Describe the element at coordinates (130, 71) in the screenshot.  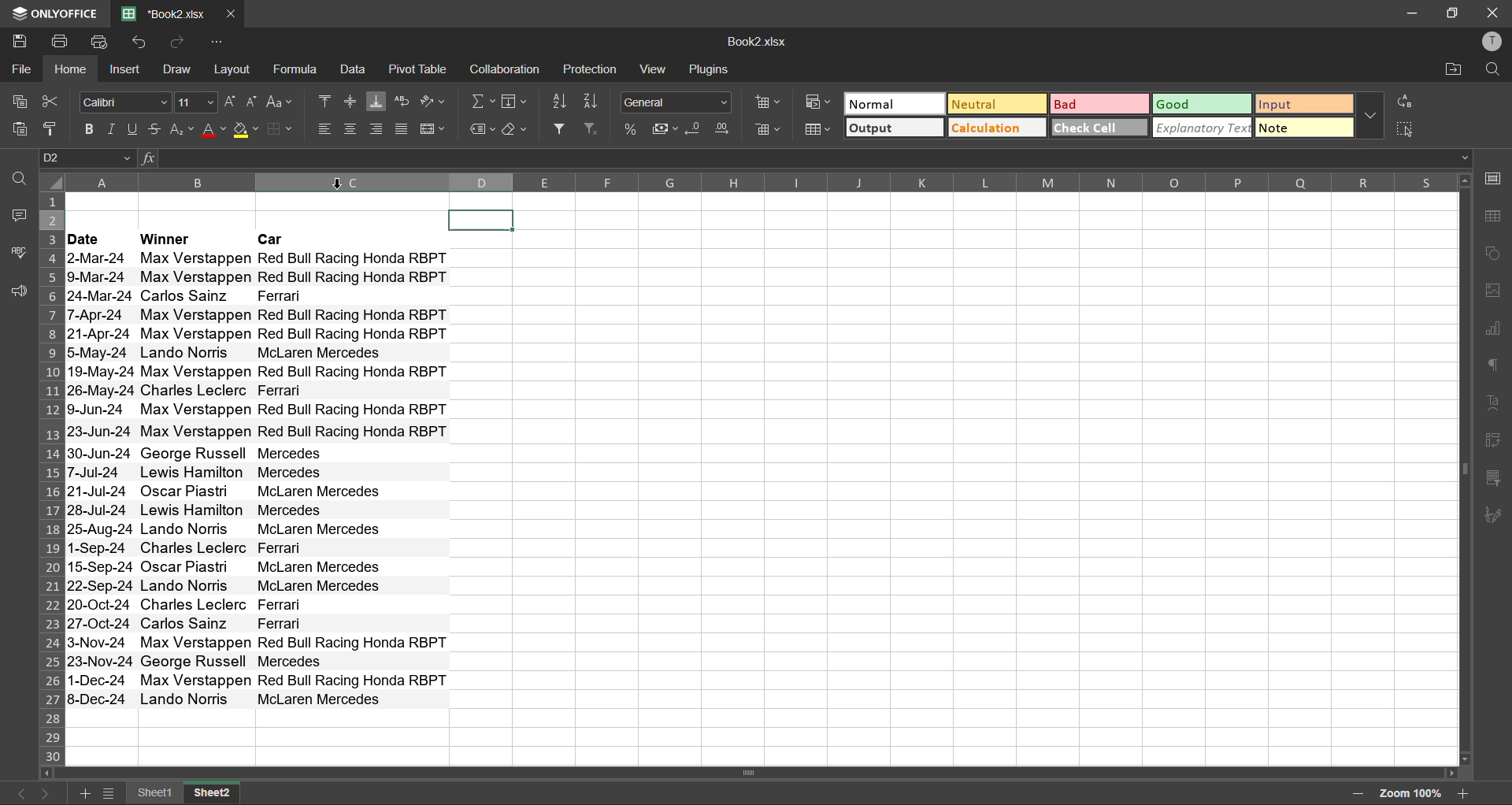
I see `insert` at that location.